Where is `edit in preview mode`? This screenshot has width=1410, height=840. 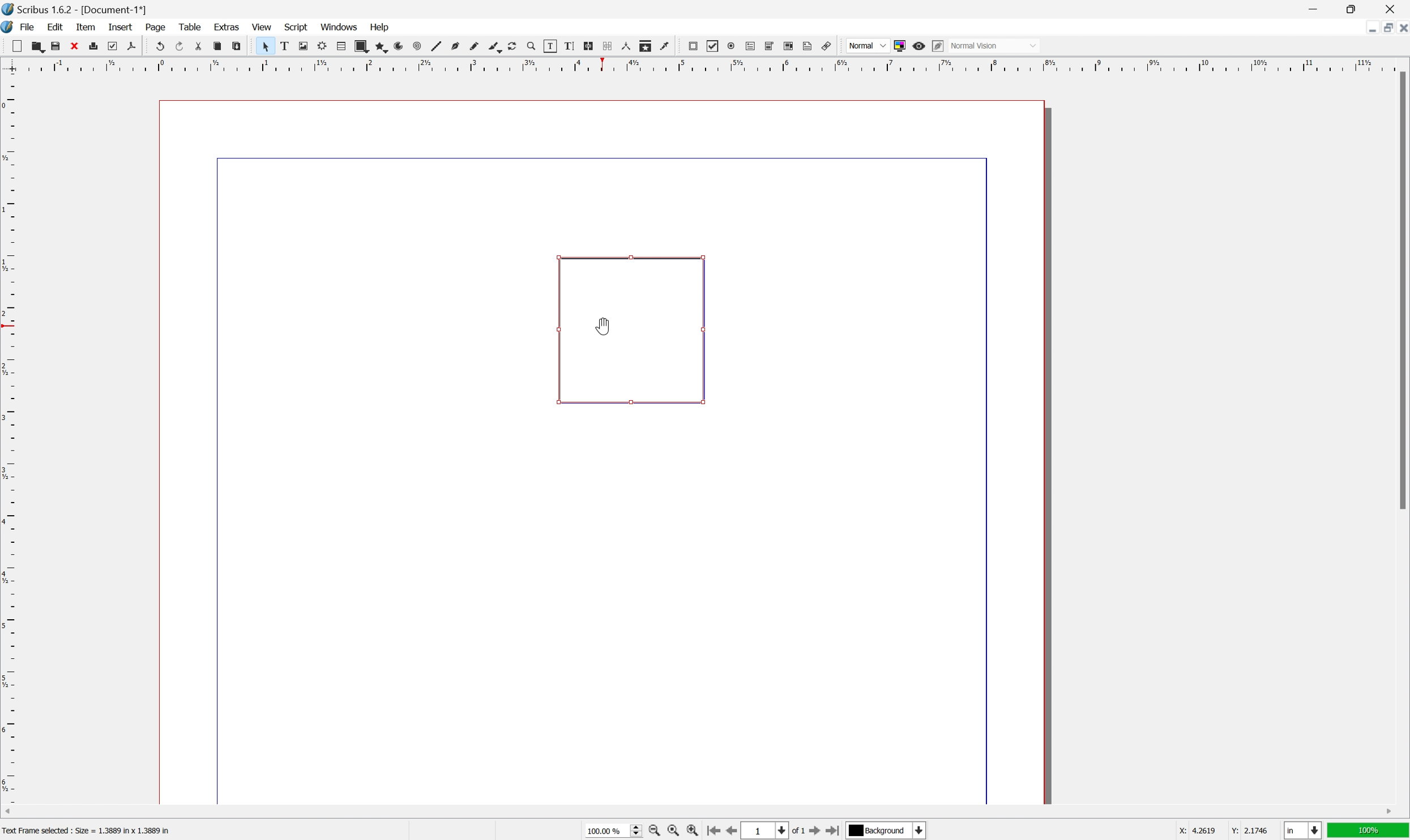
edit in preview mode is located at coordinates (938, 46).